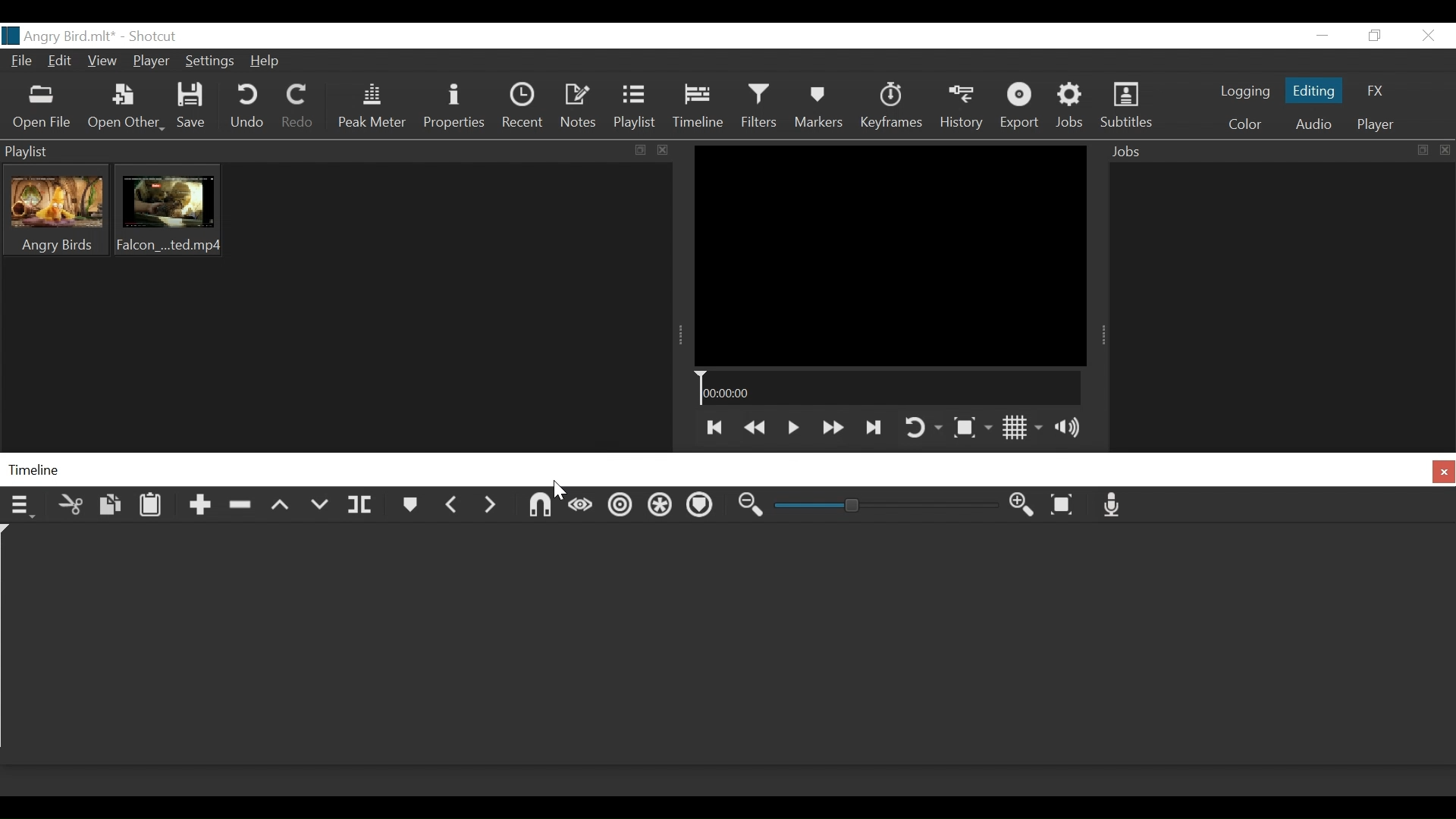 The width and height of the screenshot is (1456, 819). I want to click on Player, so click(1373, 125).